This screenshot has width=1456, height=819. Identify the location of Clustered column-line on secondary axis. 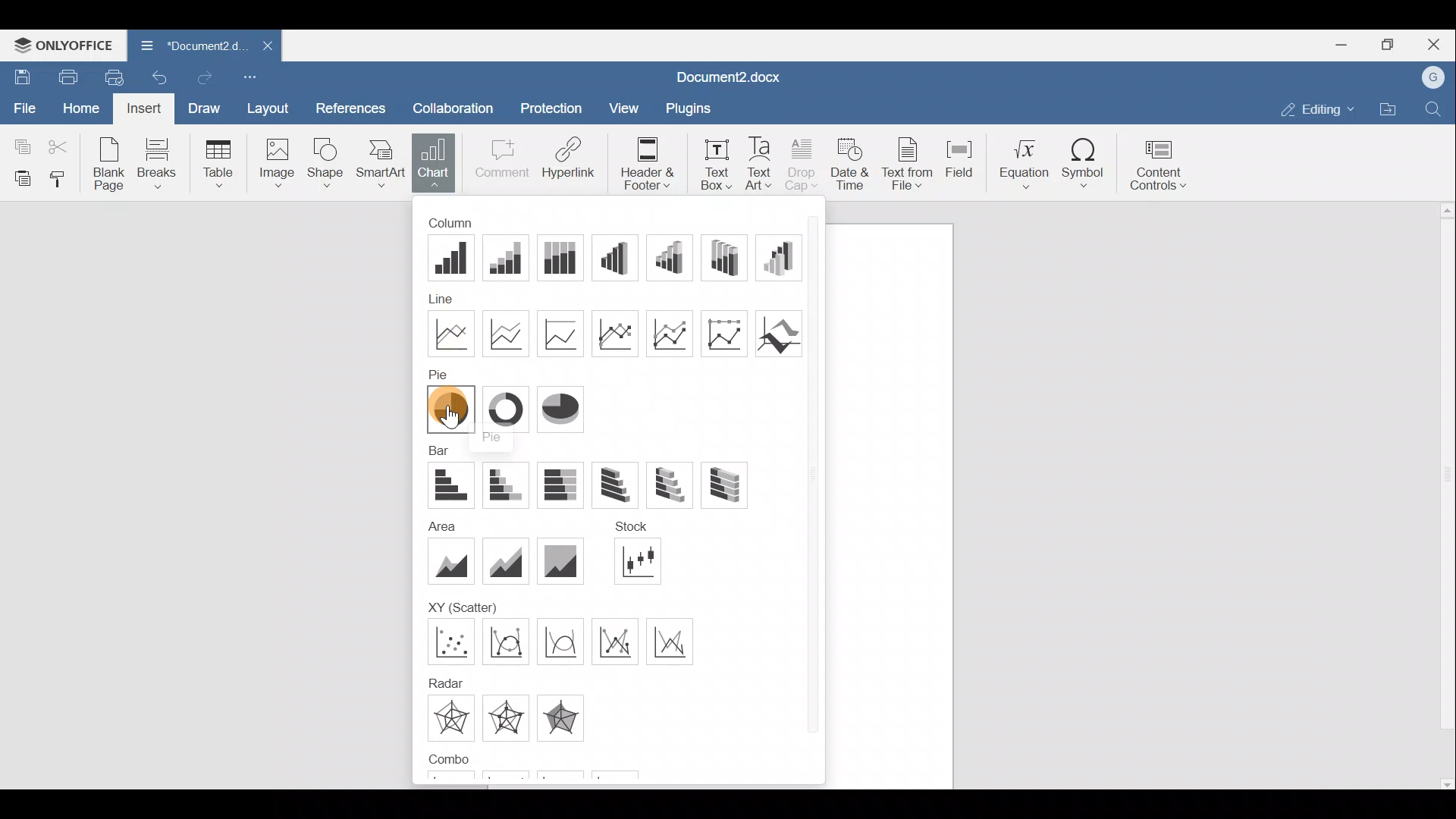
(446, 783).